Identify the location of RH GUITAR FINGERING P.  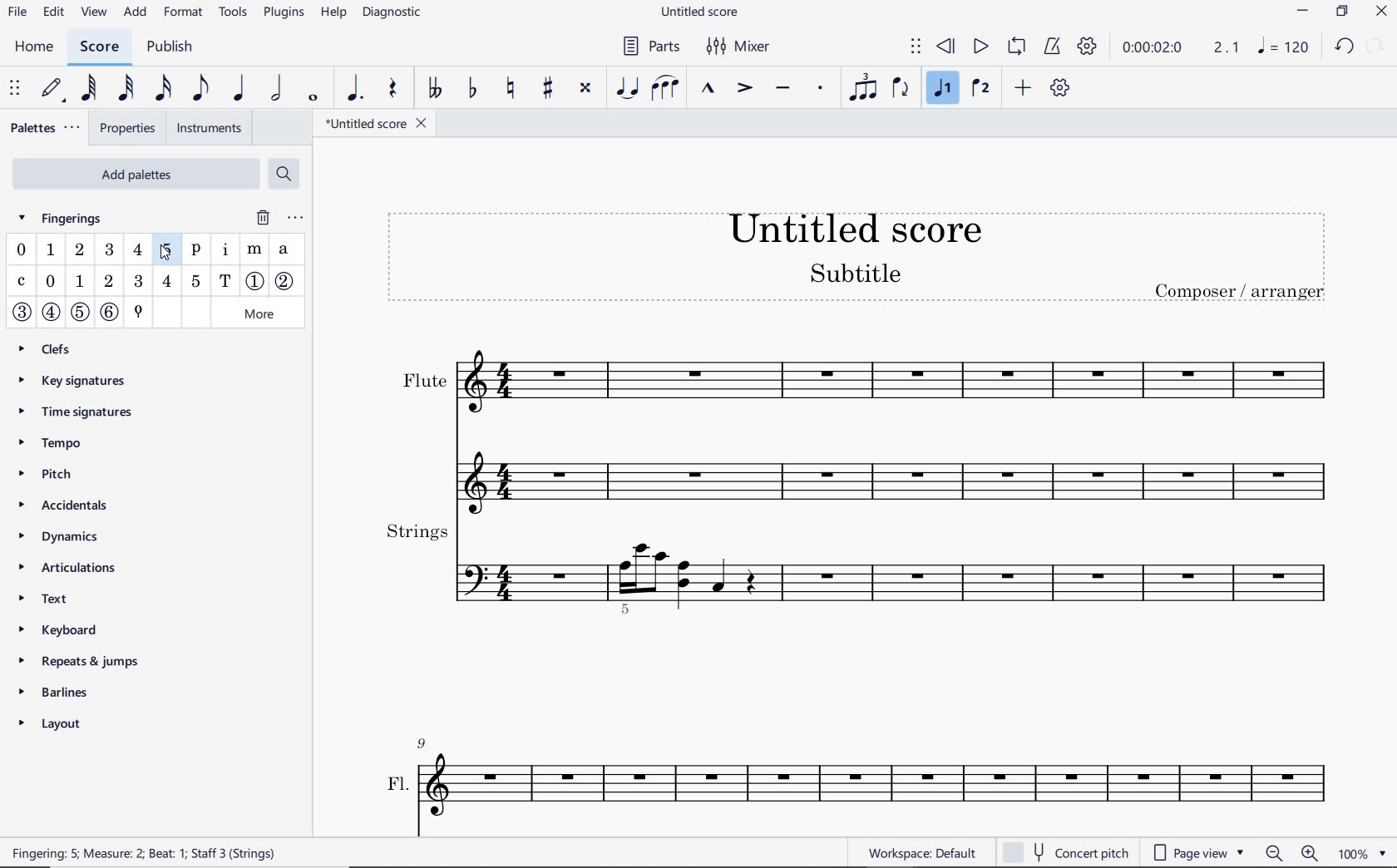
(196, 252).